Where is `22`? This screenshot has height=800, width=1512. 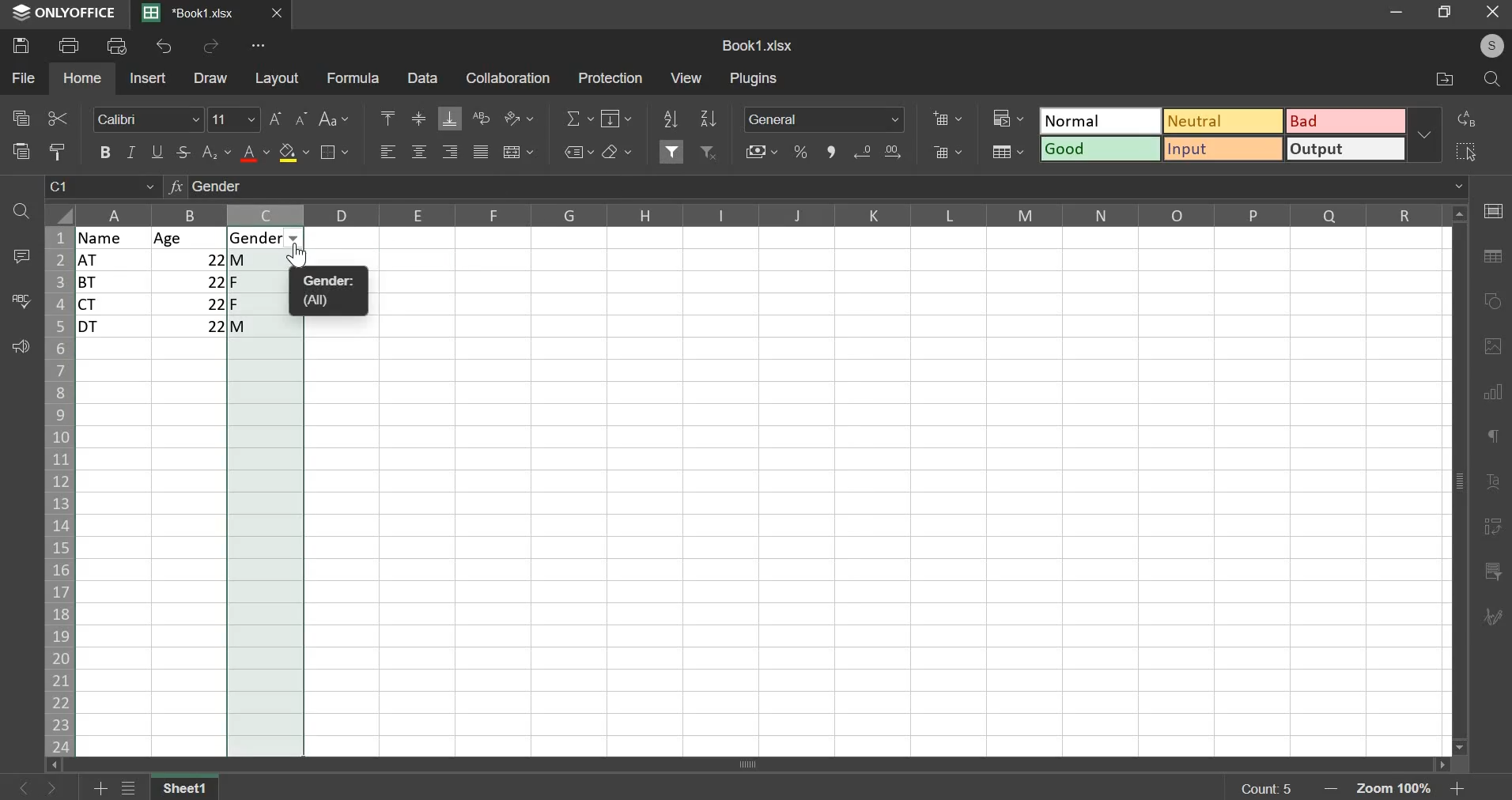 22 is located at coordinates (191, 259).